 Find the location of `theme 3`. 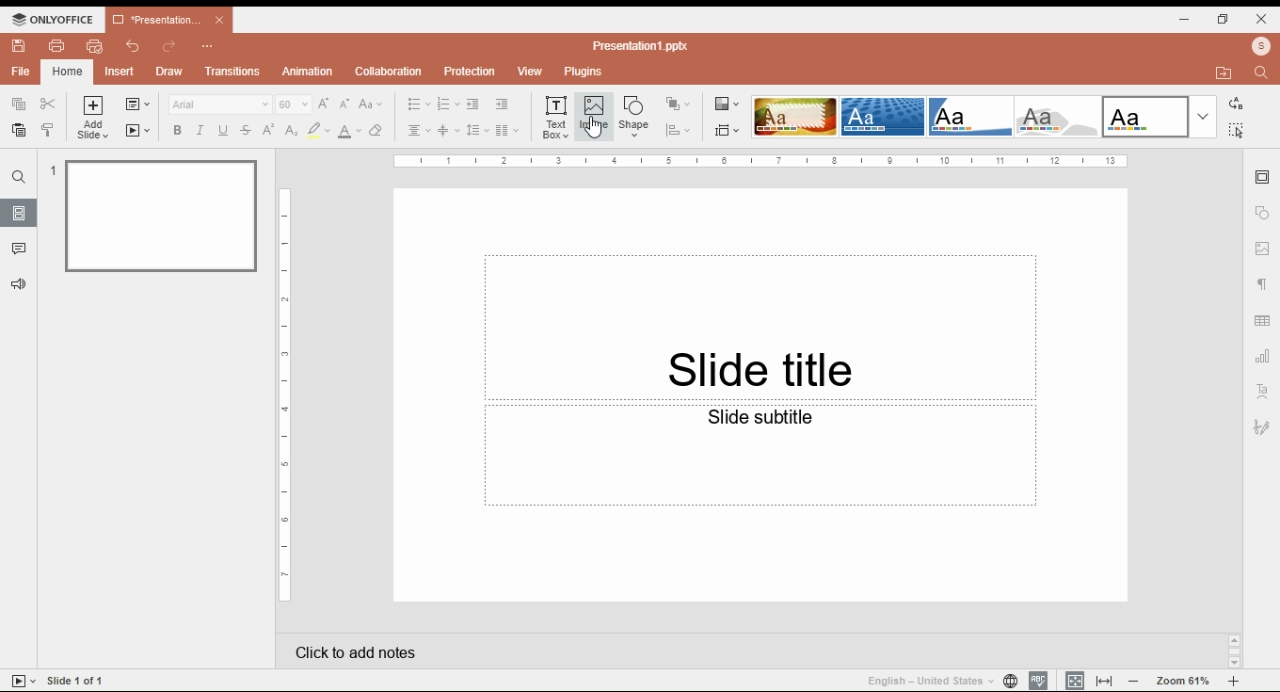

theme 3 is located at coordinates (969, 117).